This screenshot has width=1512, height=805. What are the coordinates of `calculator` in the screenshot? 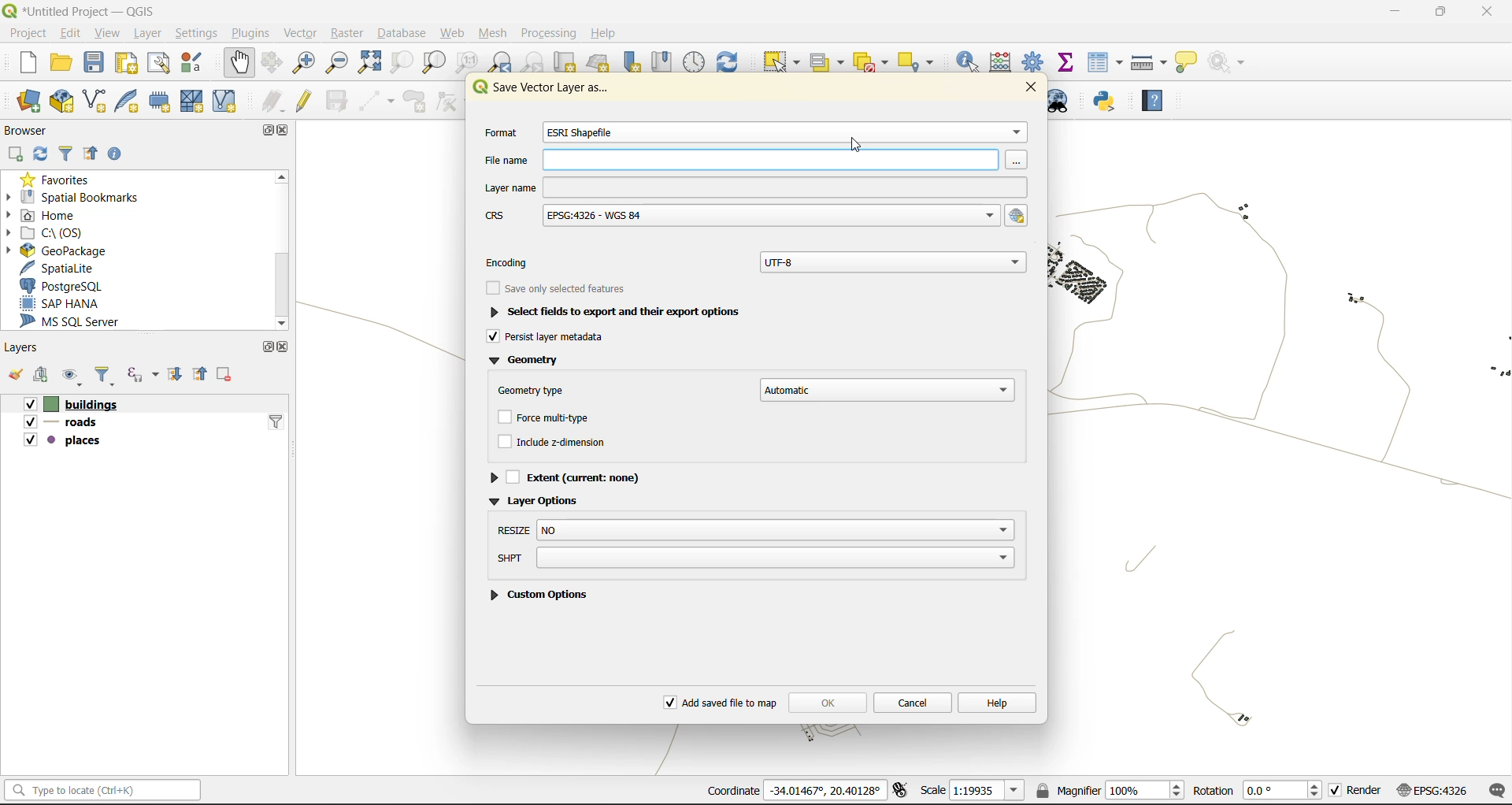 It's located at (1005, 62).